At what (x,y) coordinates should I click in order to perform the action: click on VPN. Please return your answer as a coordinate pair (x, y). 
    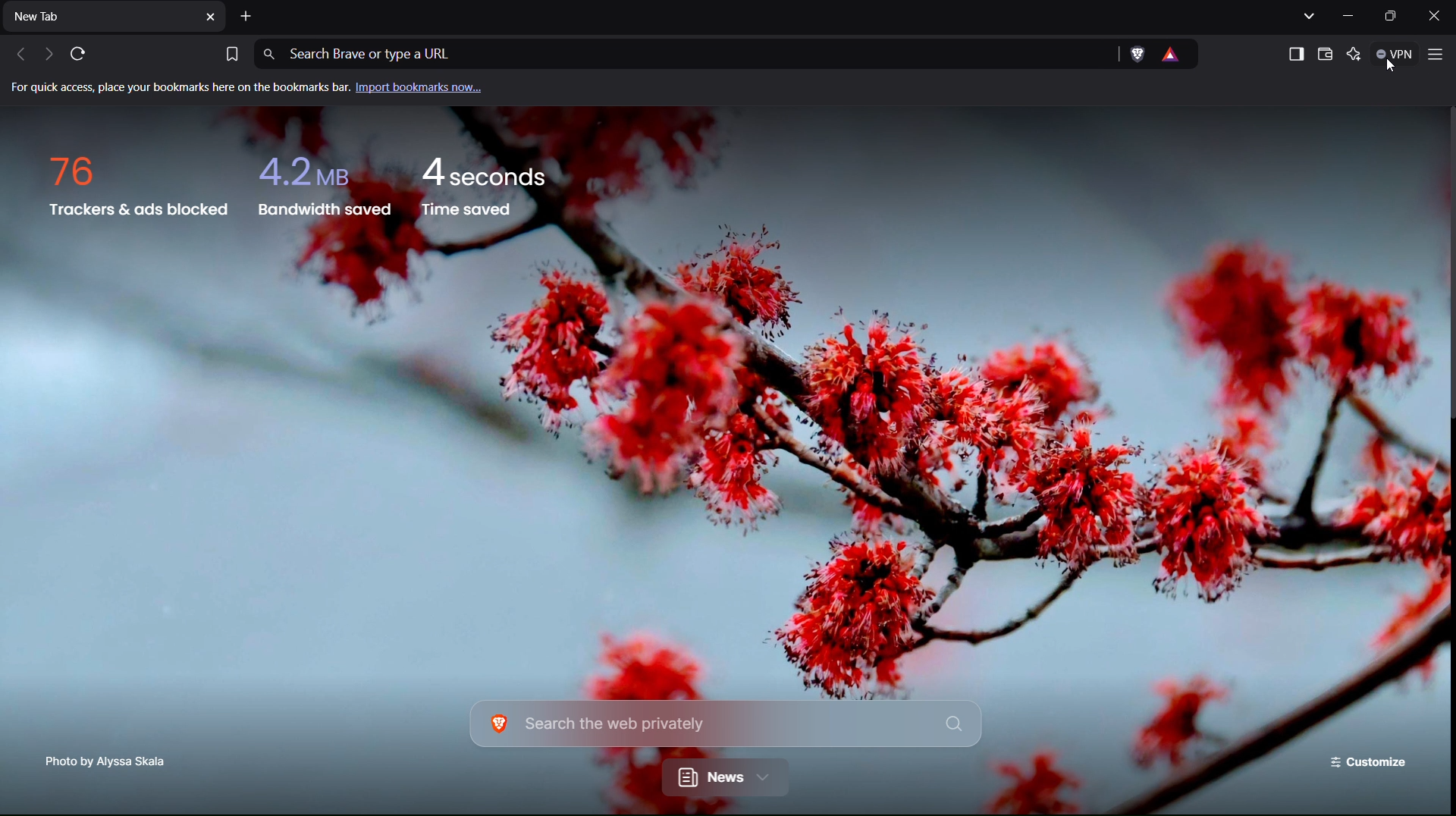
    Looking at the image, I should click on (1390, 57).